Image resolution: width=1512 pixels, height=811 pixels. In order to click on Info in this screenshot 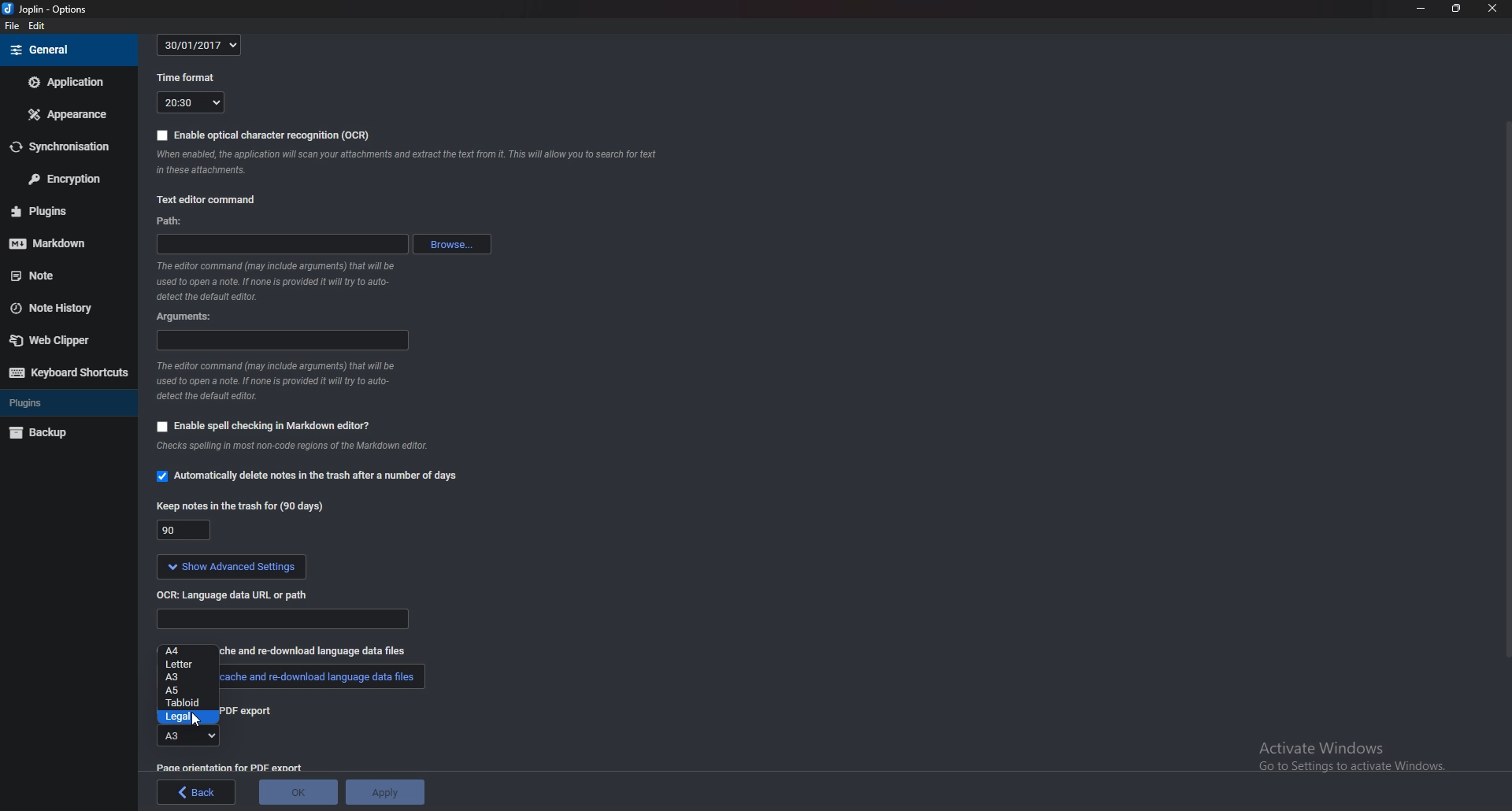, I will do `click(410, 163)`.